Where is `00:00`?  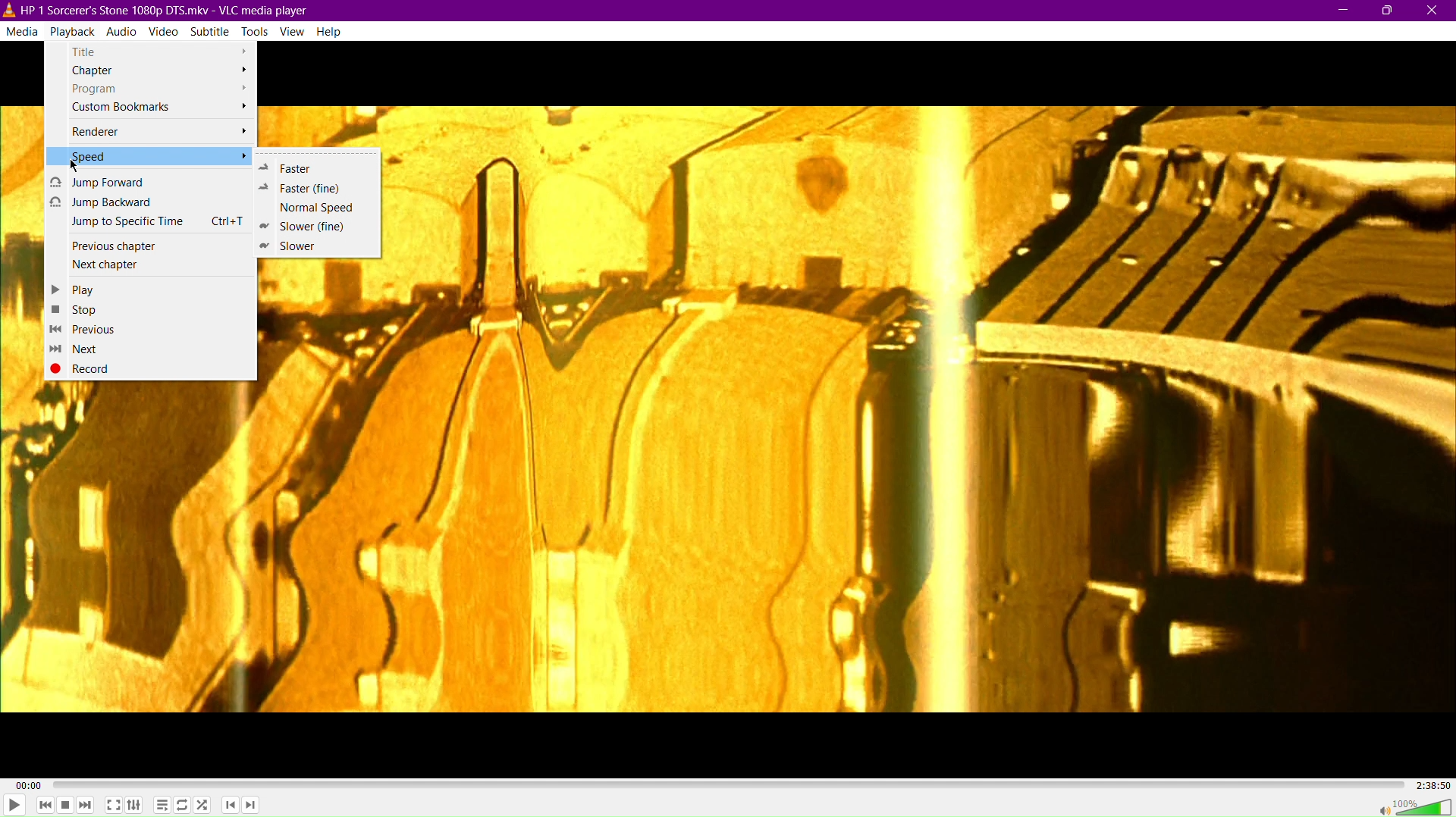
00:00 is located at coordinates (31, 784).